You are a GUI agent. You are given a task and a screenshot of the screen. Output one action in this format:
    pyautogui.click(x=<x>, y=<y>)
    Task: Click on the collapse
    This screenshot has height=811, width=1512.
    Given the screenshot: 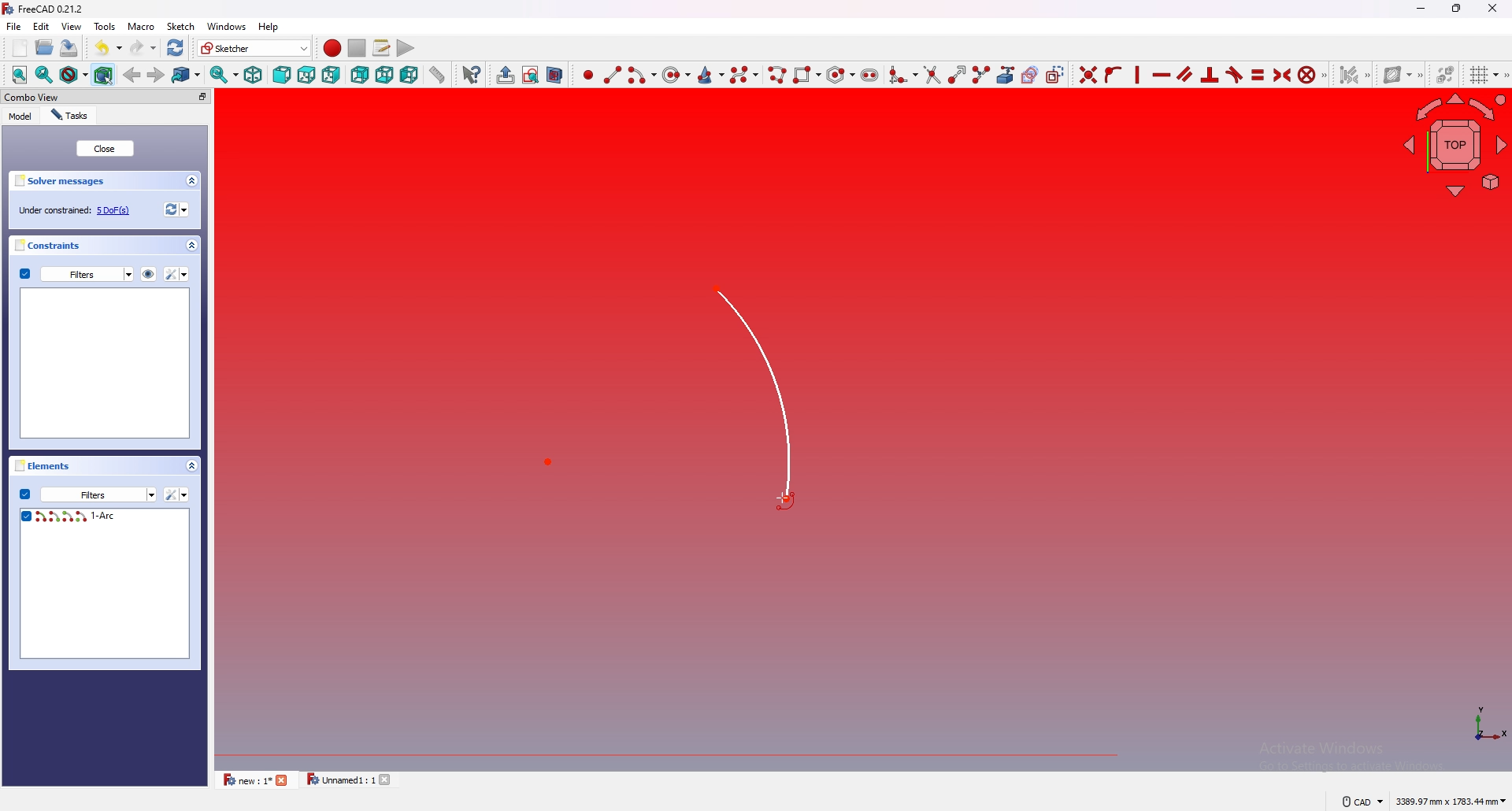 What is the action you would take?
    pyautogui.click(x=191, y=465)
    